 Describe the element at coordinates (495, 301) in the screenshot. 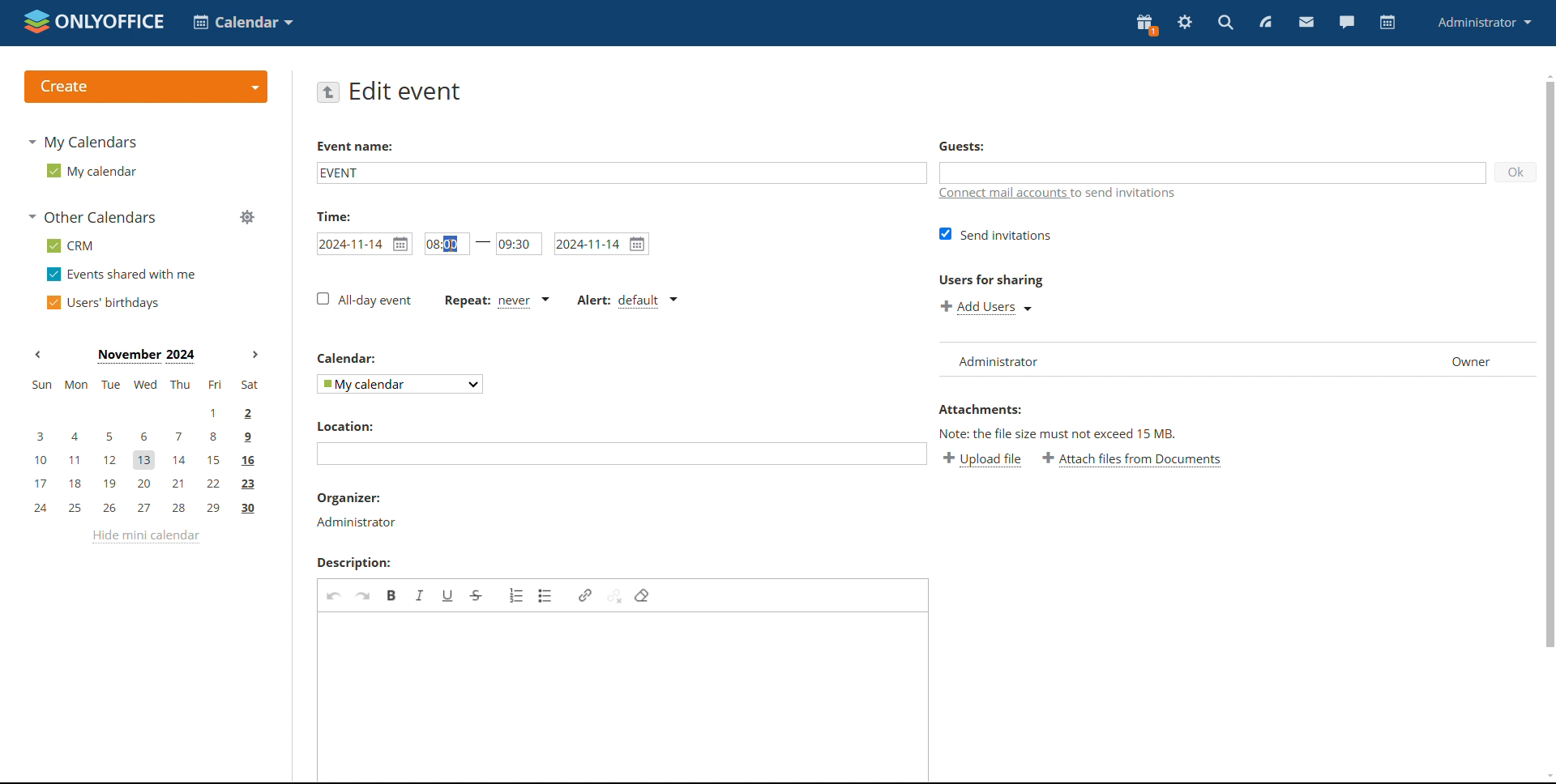

I see `event repetition` at that location.